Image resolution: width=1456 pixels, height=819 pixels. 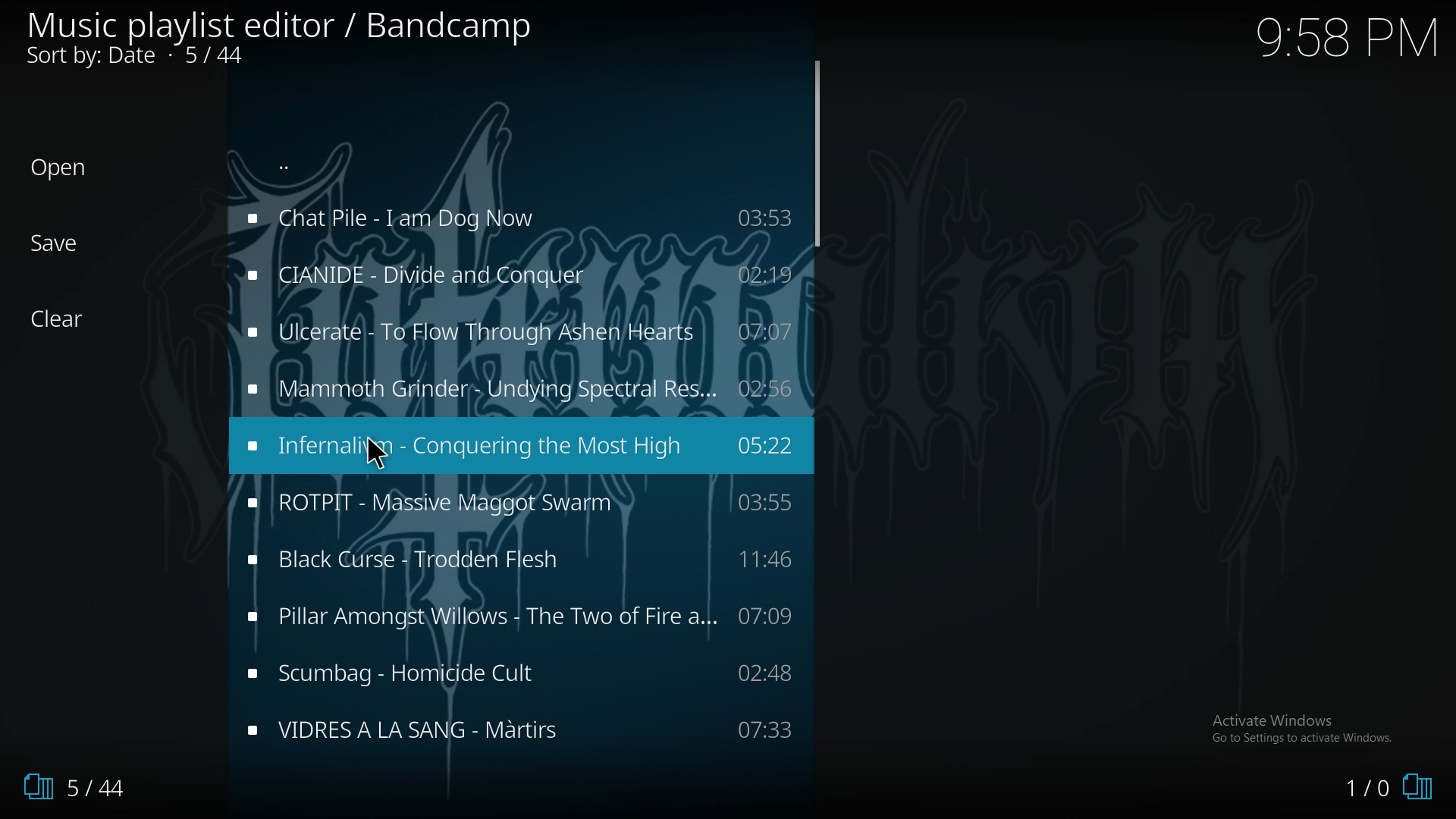 I want to click on scroll bar, so click(x=816, y=153).